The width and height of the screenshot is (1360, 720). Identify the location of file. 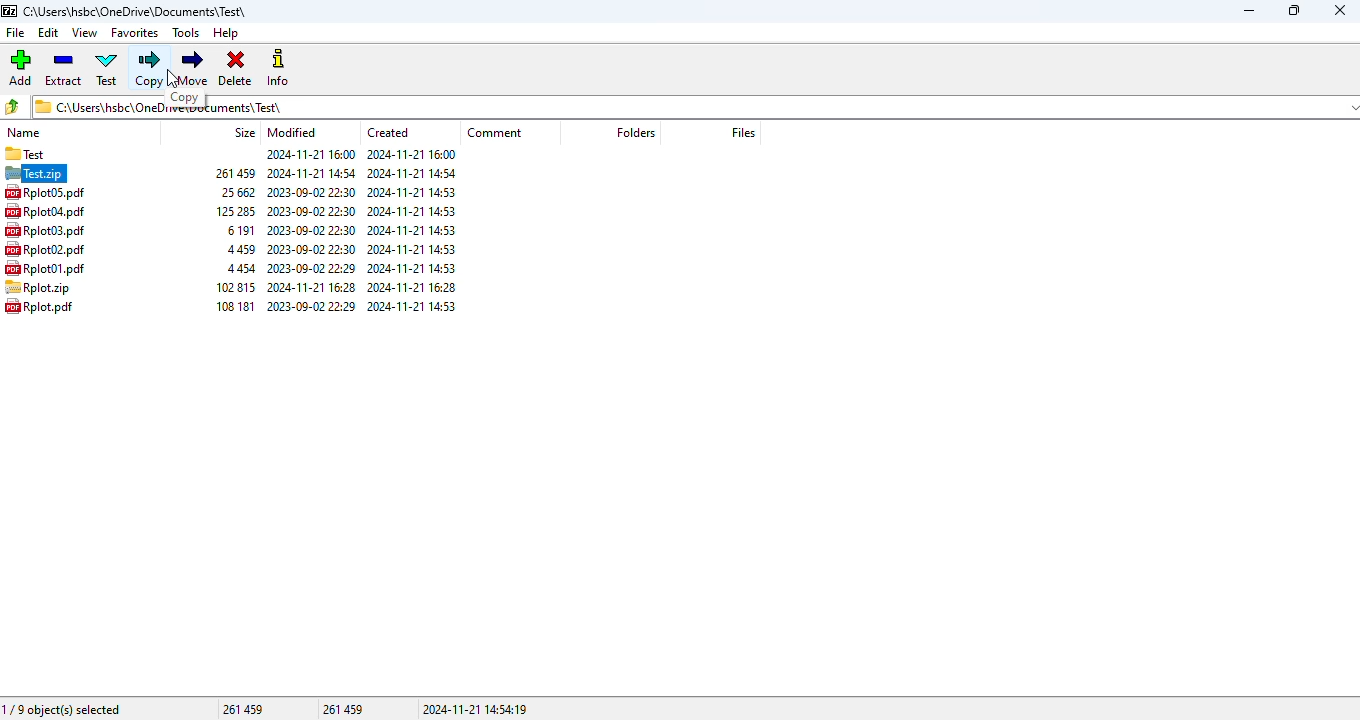
(38, 287).